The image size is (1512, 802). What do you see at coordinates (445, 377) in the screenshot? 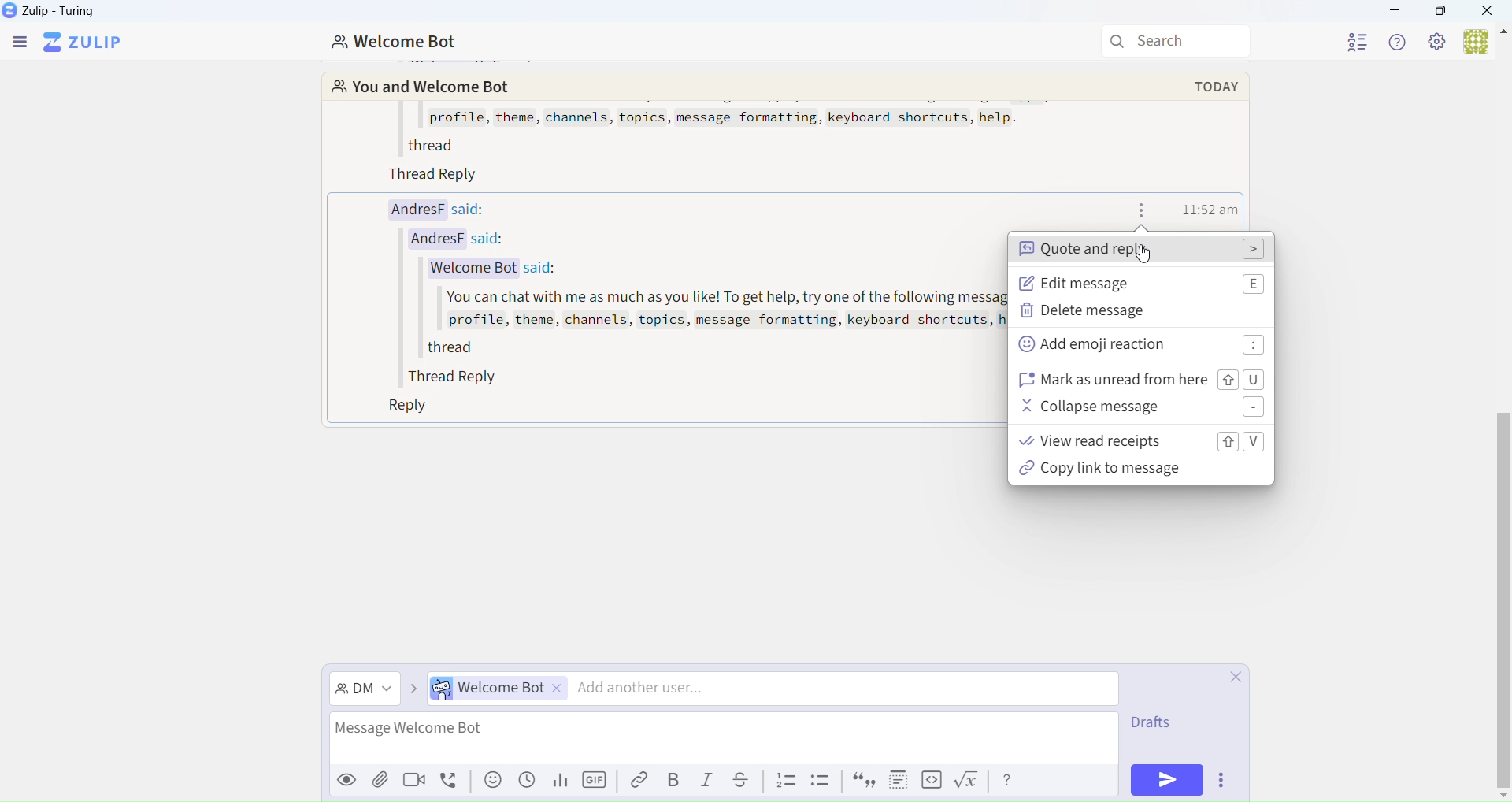
I see `Thread Reply` at bounding box center [445, 377].